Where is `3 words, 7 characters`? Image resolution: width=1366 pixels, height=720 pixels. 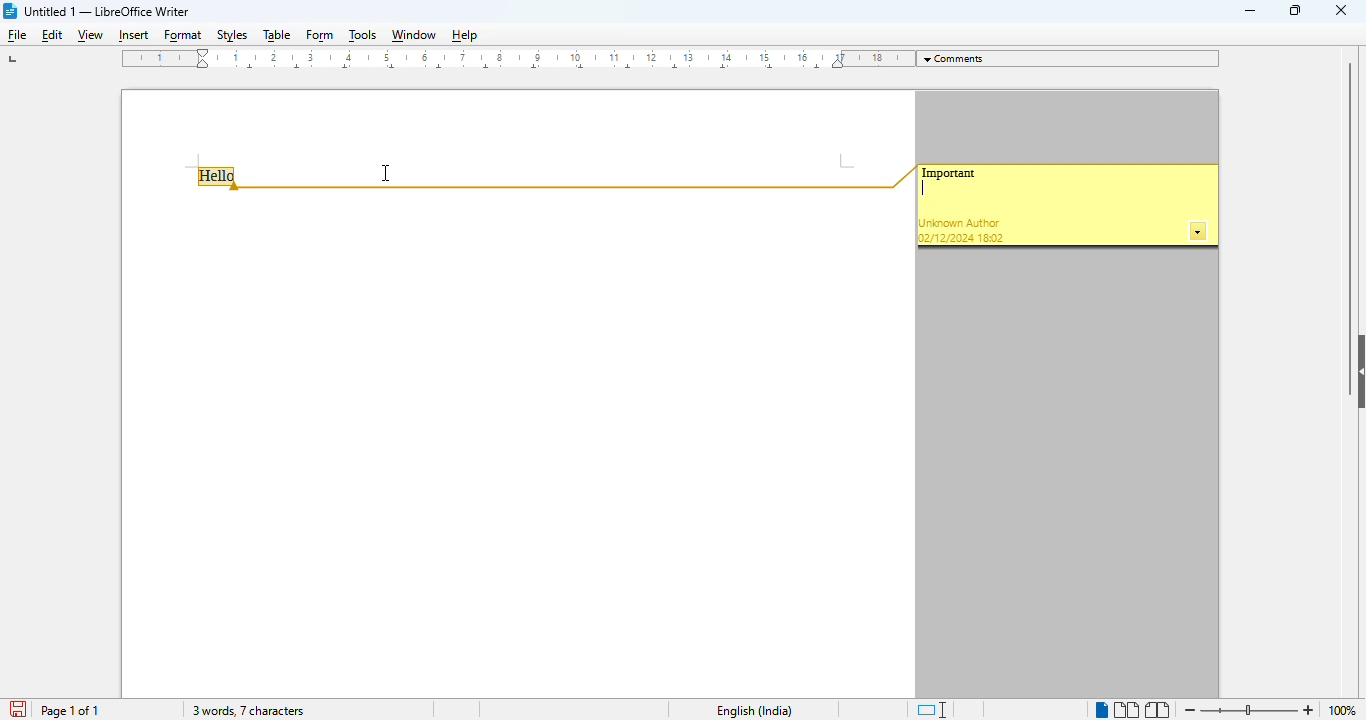 3 words, 7 characters is located at coordinates (247, 710).